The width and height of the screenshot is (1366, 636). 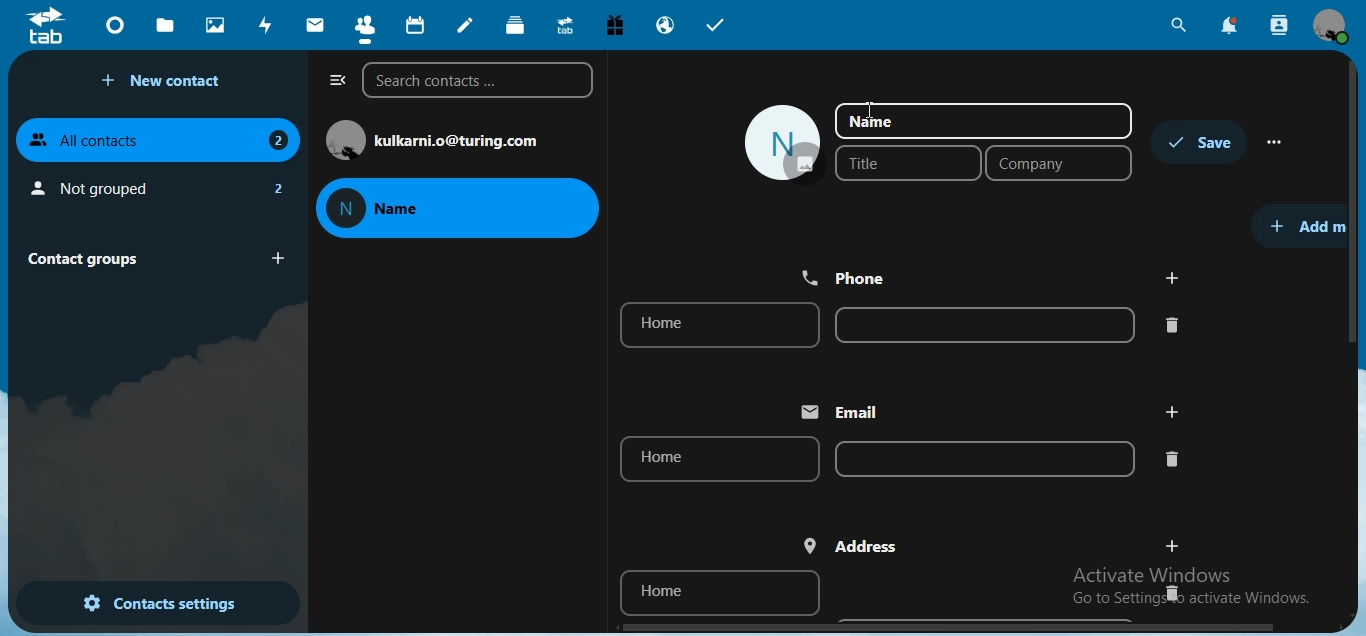 I want to click on add more details, so click(x=1308, y=224).